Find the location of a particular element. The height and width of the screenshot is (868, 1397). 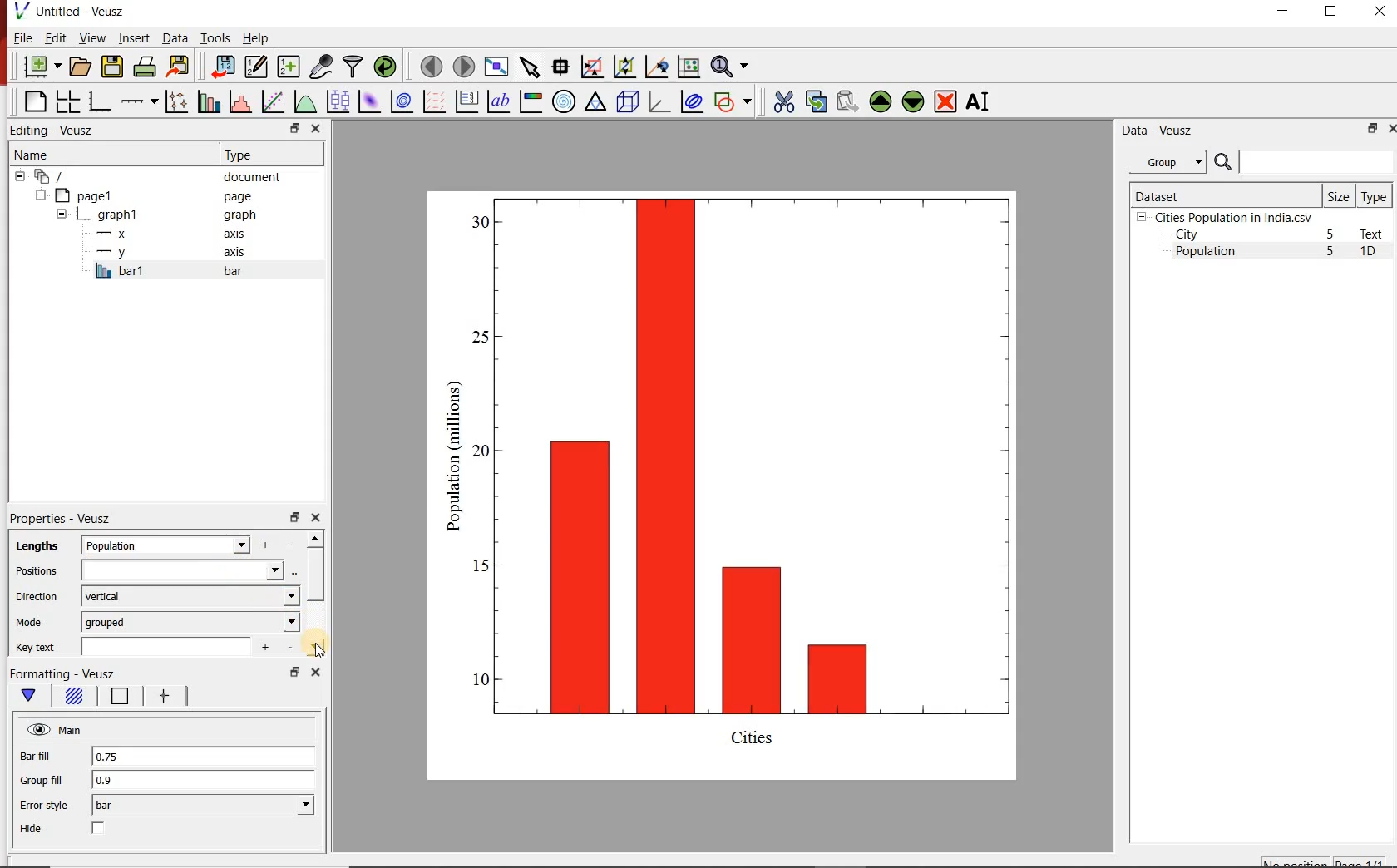

Formatting - Veusz is located at coordinates (64, 674).